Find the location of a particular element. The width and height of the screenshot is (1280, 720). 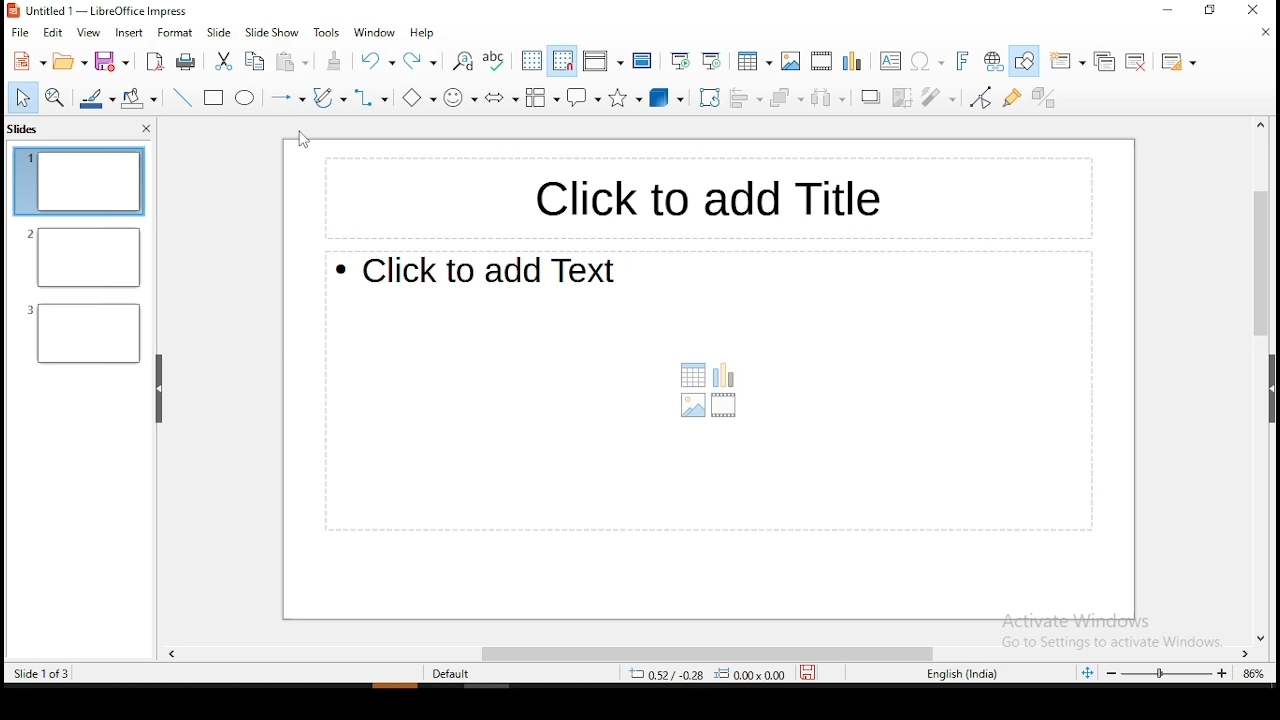

display grid is located at coordinates (532, 62).